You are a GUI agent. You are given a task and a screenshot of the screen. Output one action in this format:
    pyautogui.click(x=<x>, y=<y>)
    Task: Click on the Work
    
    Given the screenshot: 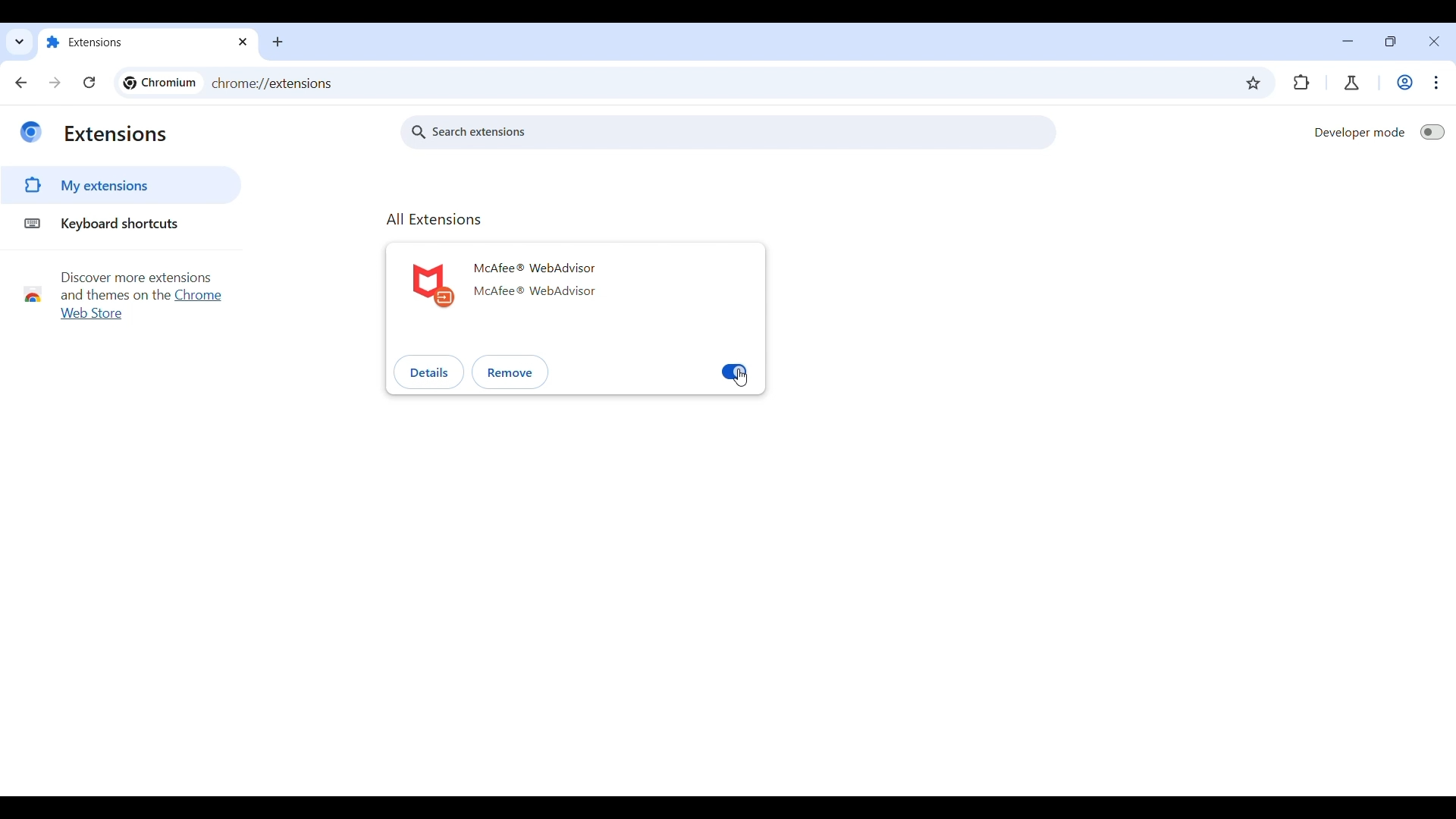 What is the action you would take?
    pyautogui.click(x=1404, y=82)
    